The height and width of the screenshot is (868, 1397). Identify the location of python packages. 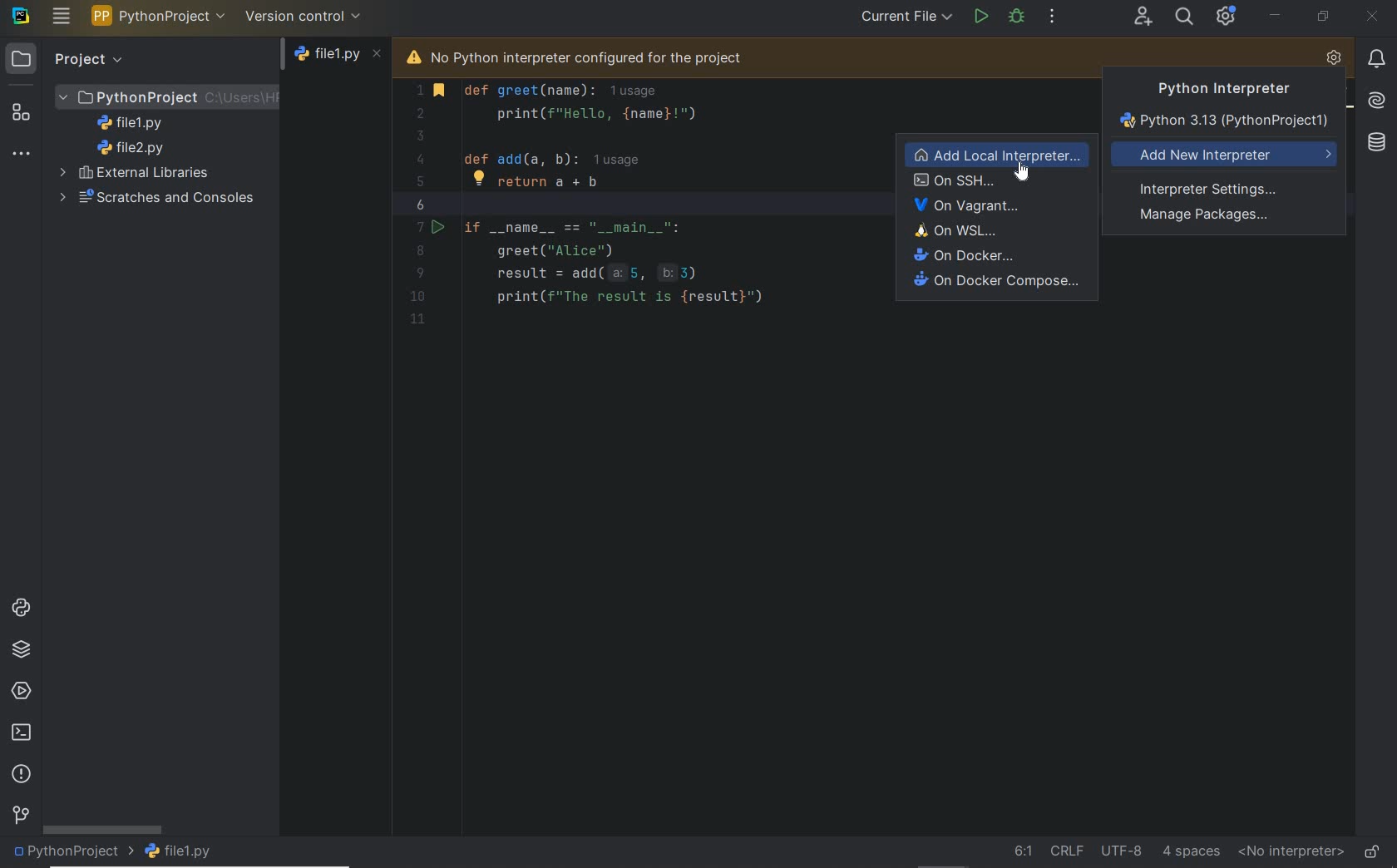
(22, 649).